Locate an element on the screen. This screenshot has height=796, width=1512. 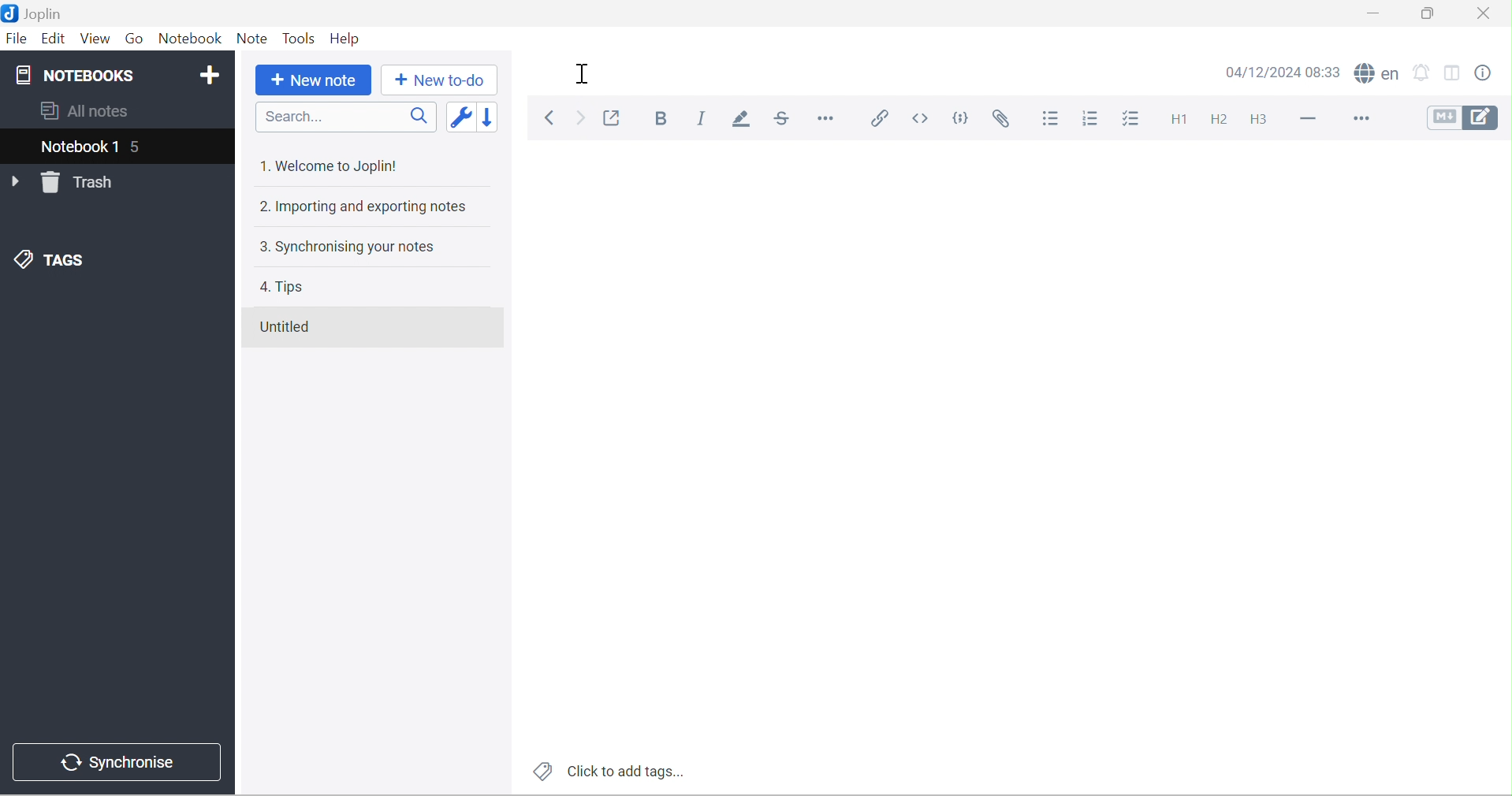
Search is located at coordinates (345, 117).